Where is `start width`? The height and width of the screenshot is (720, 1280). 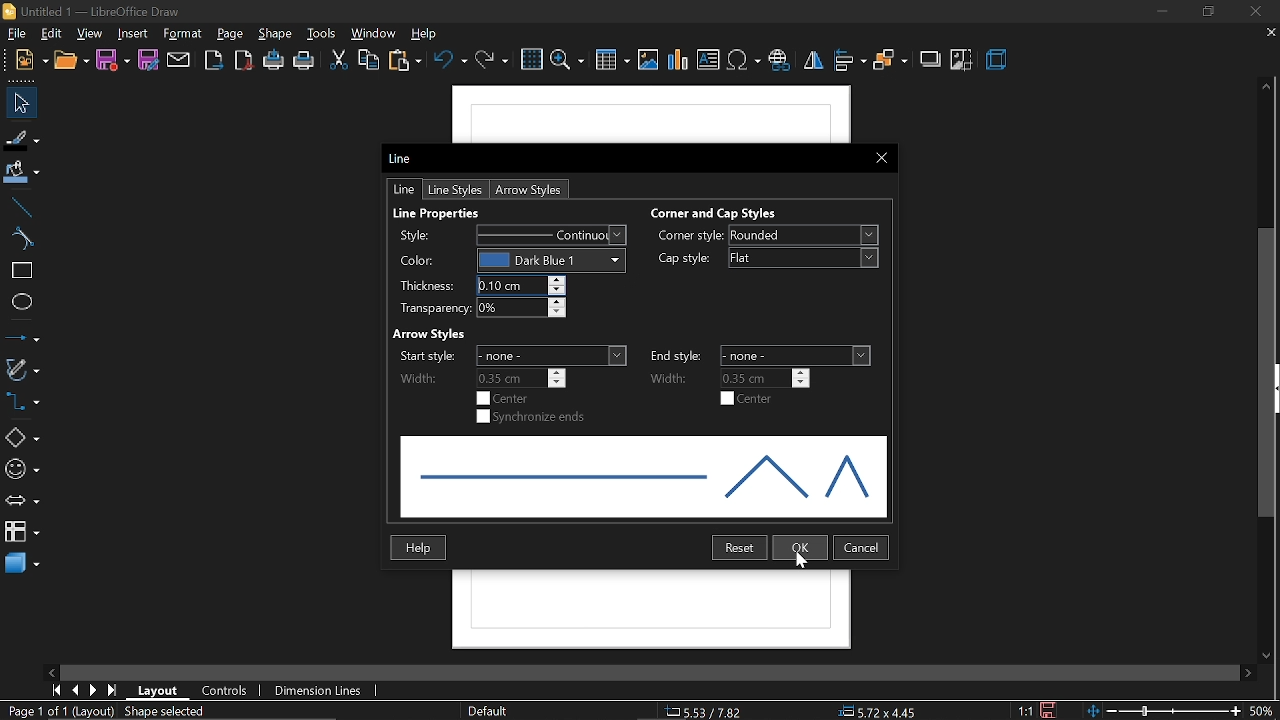
start width is located at coordinates (522, 378).